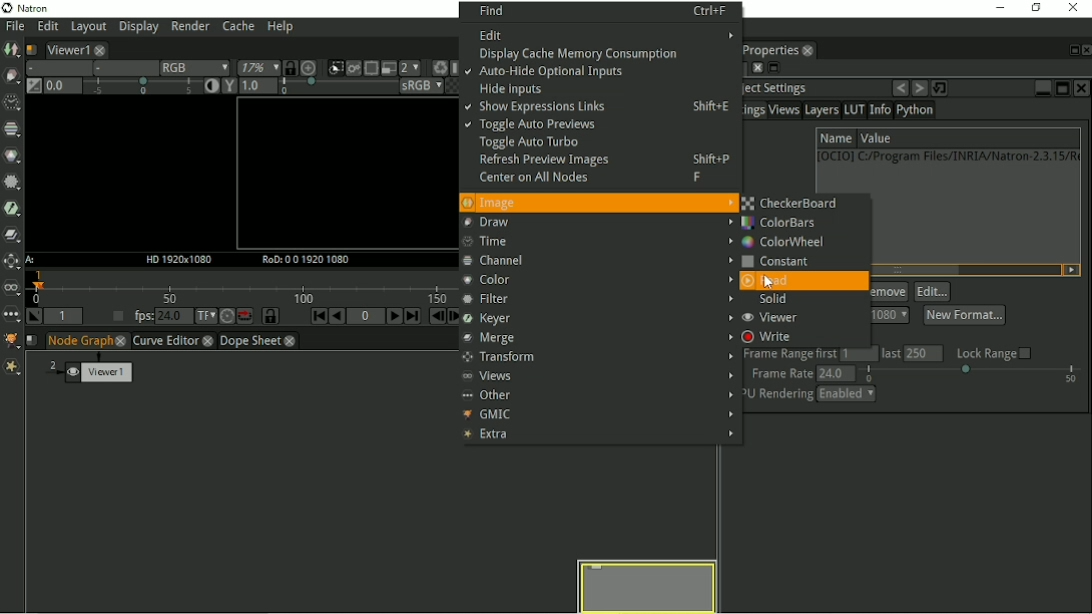 Image resolution: width=1092 pixels, height=614 pixels. I want to click on Gain, so click(118, 88).